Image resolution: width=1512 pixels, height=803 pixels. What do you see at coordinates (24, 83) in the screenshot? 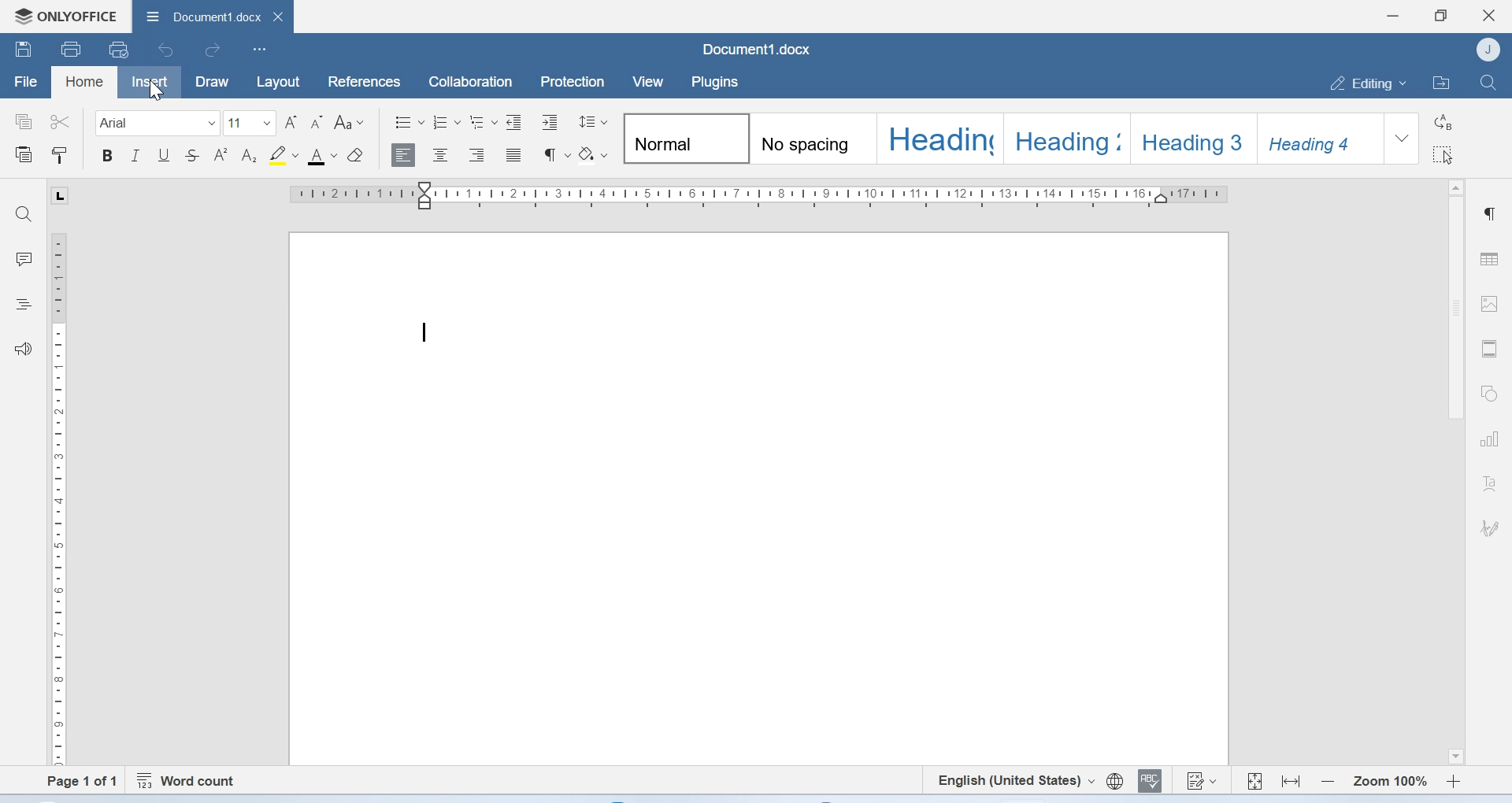
I see `File` at bounding box center [24, 83].